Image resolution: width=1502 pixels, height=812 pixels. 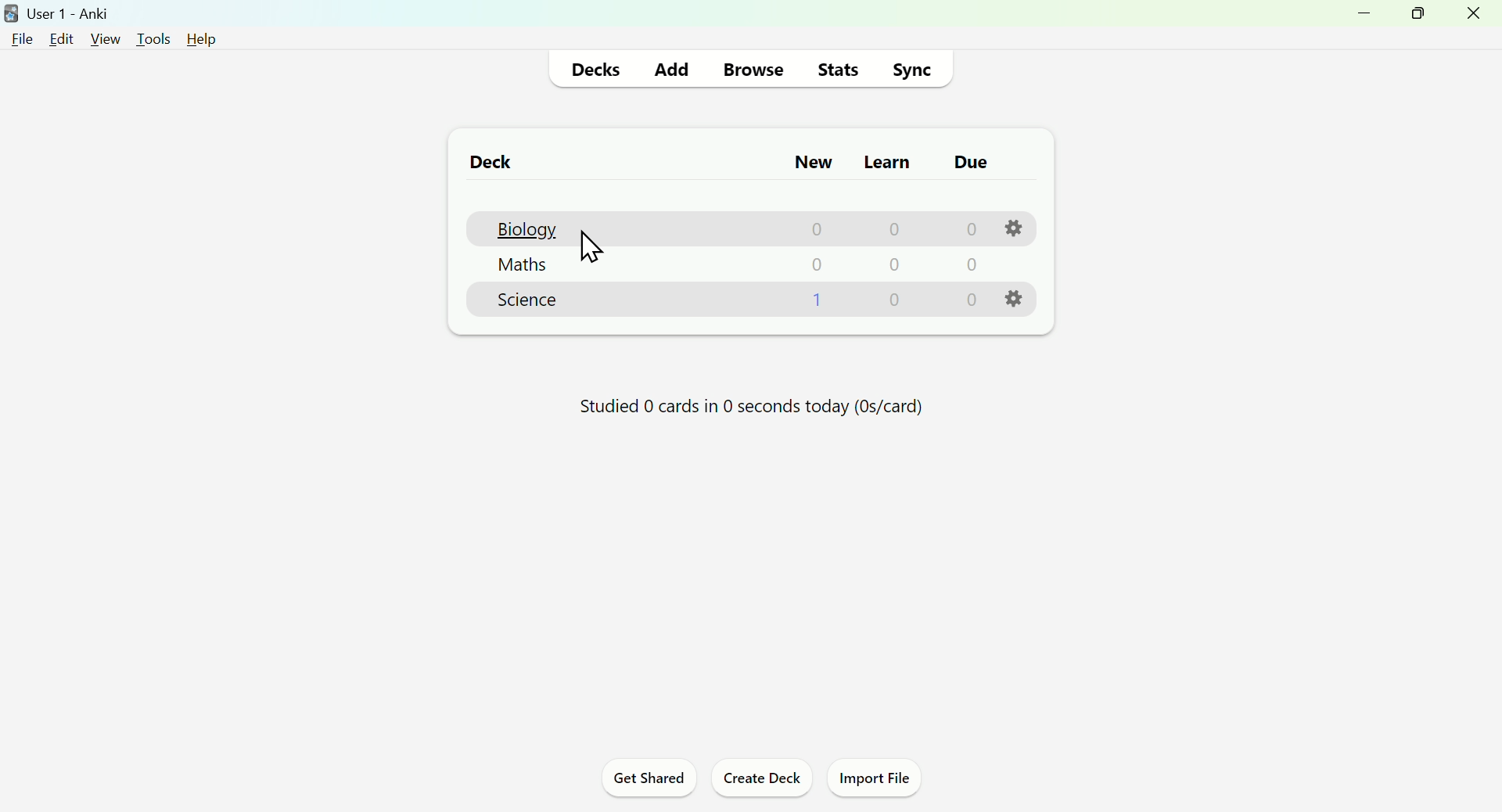 What do you see at coordinates (888, 231) in the screenshot?
I see `0` at bounding box center [888, 231].